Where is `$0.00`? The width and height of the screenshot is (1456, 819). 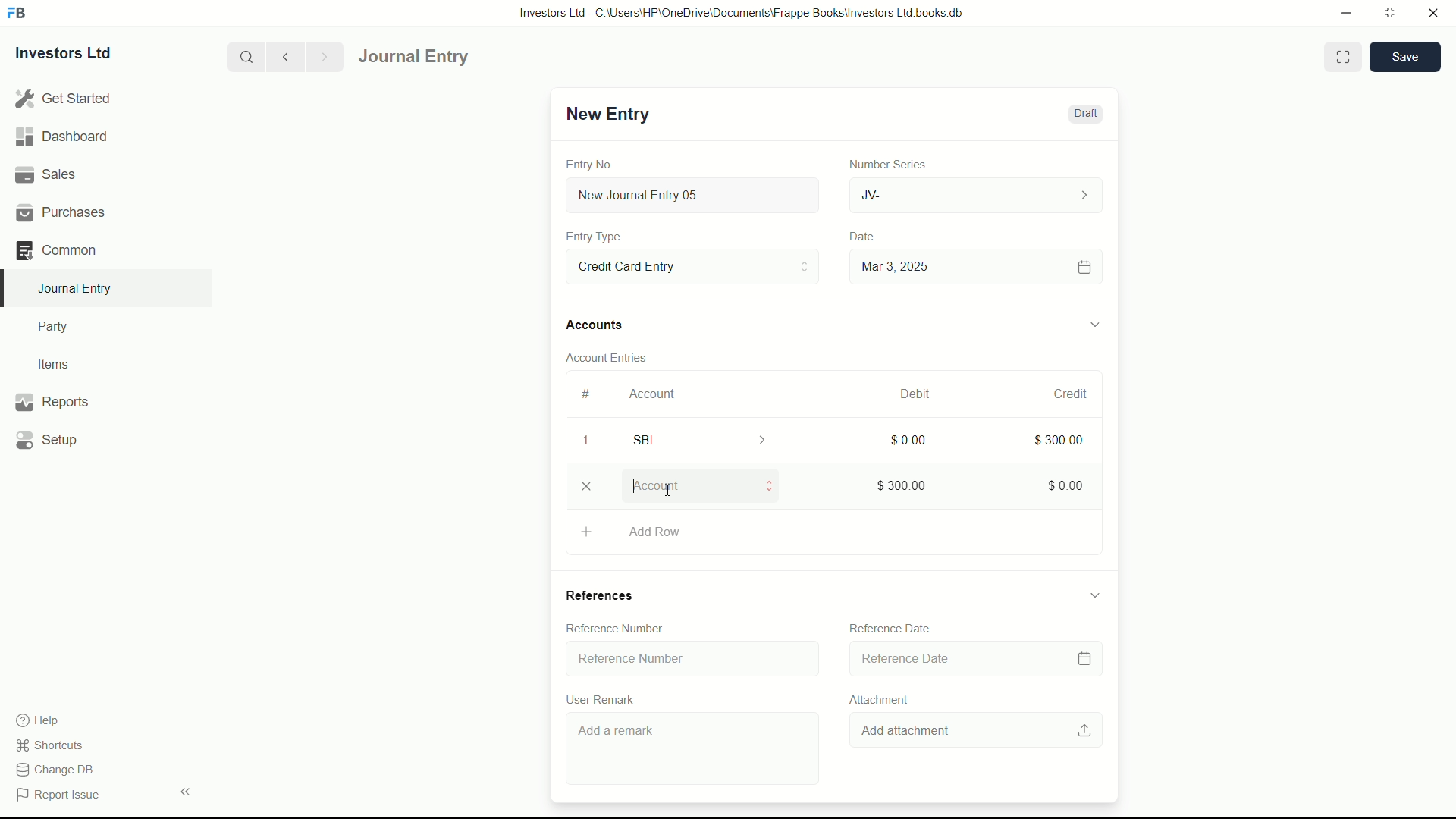 $0.00 is located at coordinates (1064, 484).